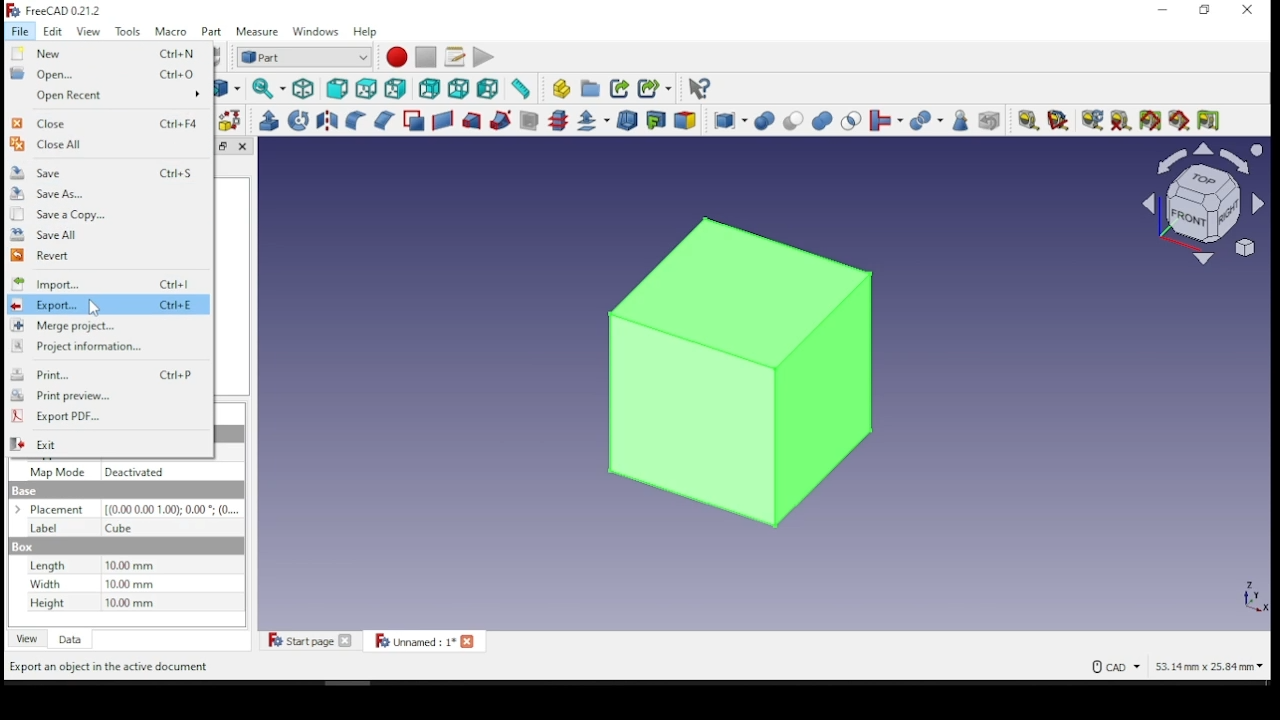 The width and height of the screenshot is (1280, 720). Describe the element at coordinates (171, 31) in the screenshot. I see `macro` at that location.